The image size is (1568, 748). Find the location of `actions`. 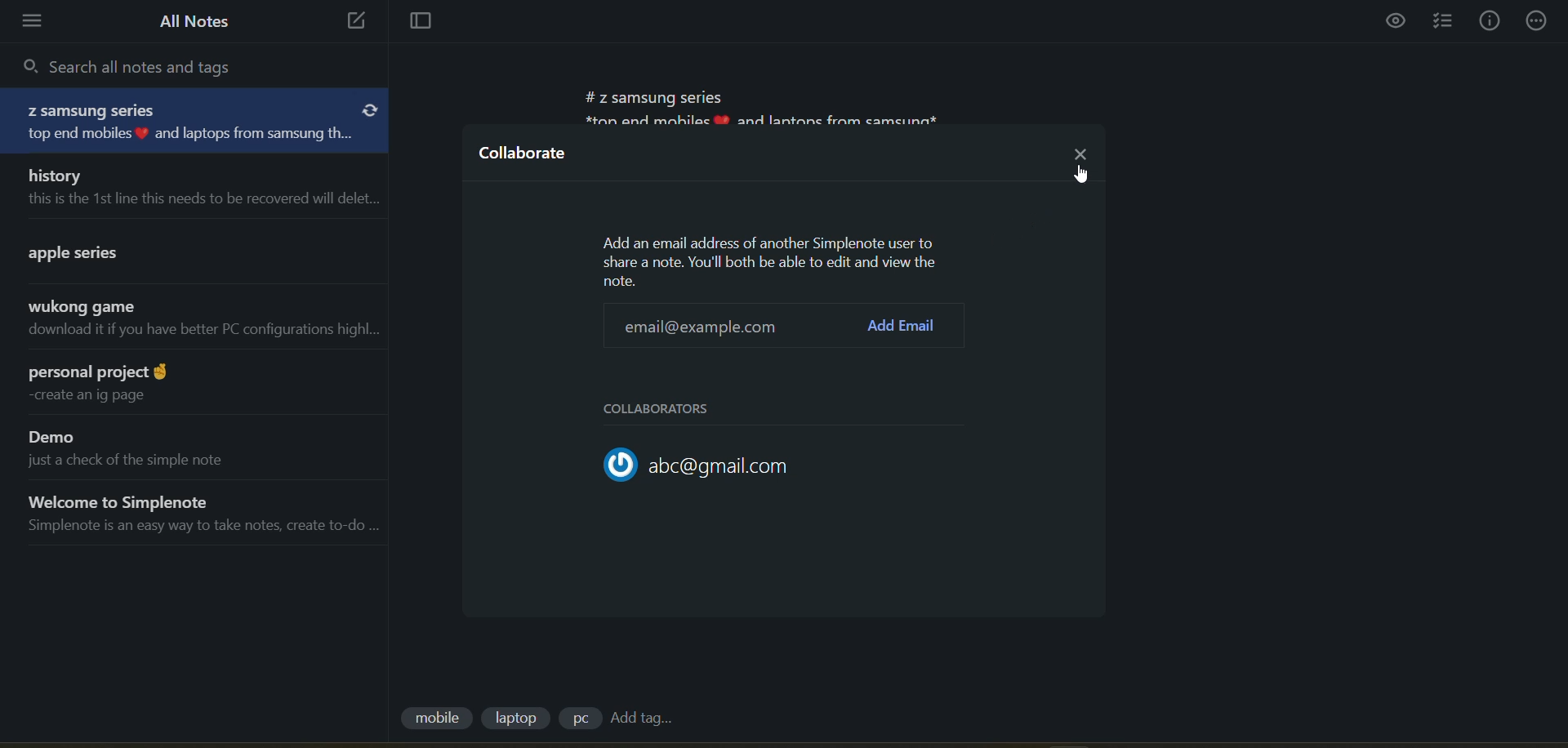

actions is located at coordinates (1540, 20).